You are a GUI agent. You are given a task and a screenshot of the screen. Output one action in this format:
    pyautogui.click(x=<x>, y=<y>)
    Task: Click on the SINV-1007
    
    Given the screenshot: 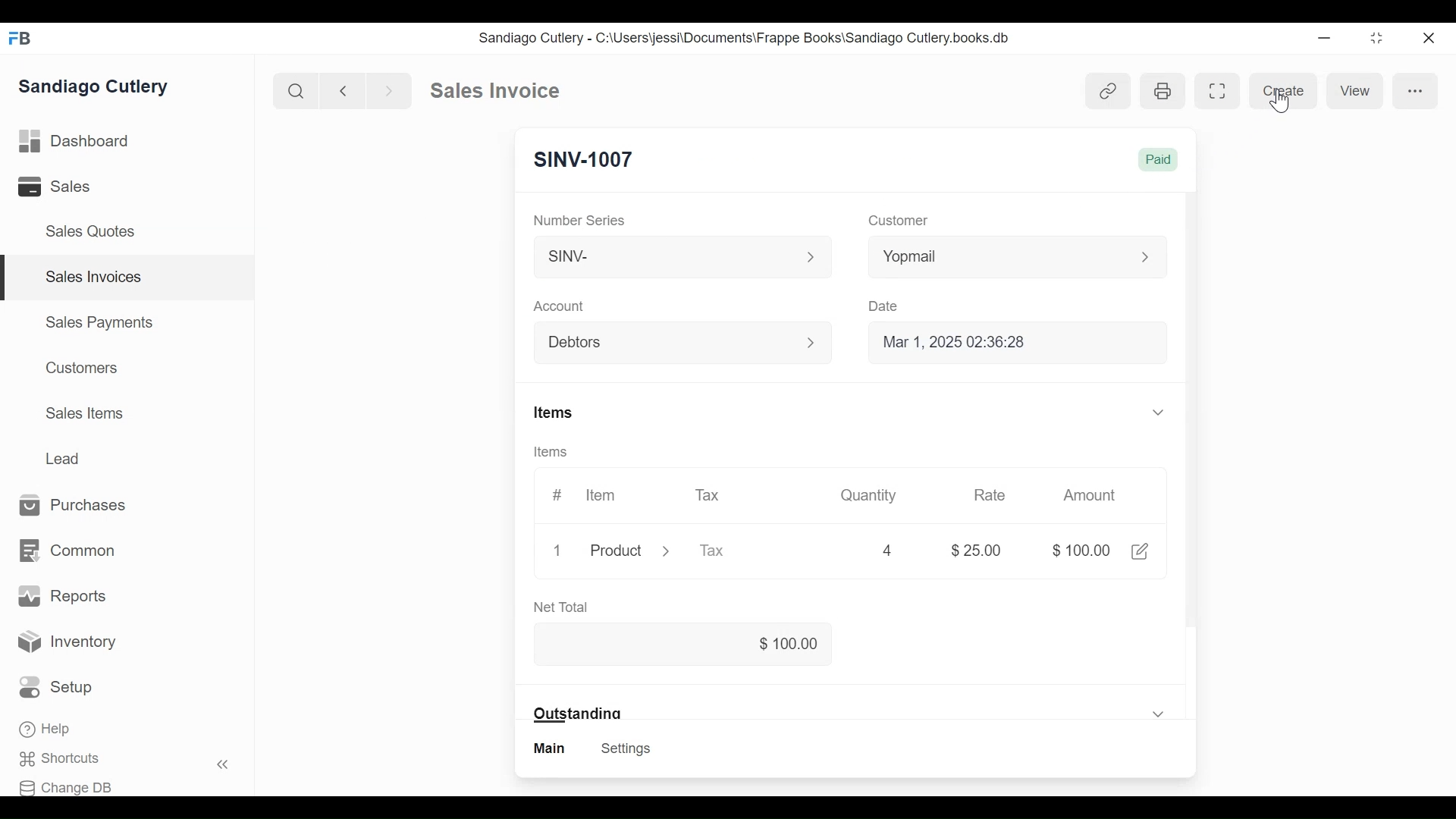 What is the action you would take?
    pyautogui.click(x=585, y=158)
    